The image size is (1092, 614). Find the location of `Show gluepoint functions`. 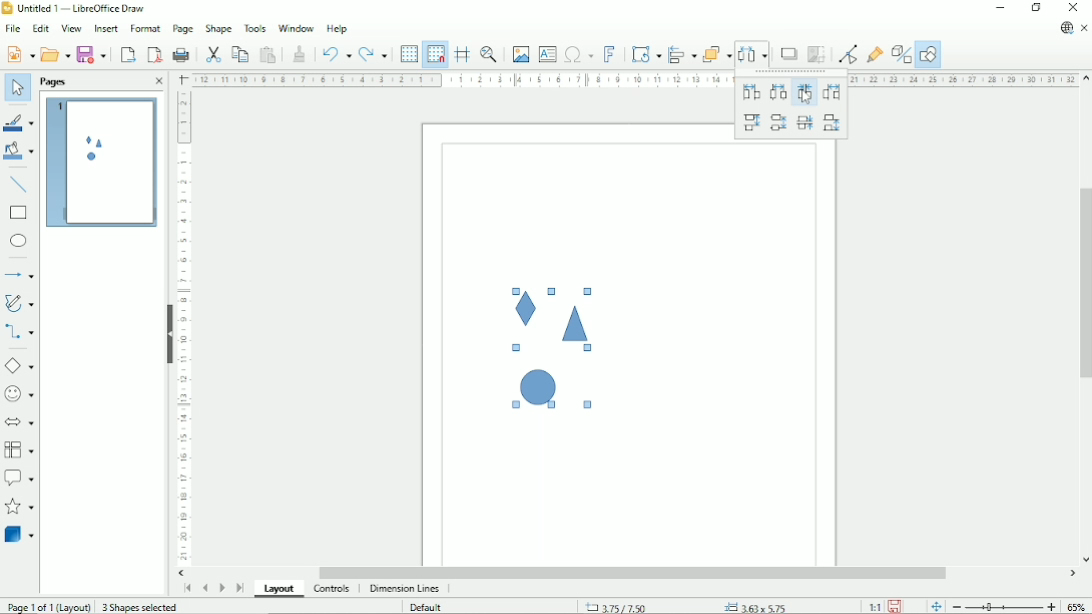

Show gluepoint functions is located at coordinates (876, 54).